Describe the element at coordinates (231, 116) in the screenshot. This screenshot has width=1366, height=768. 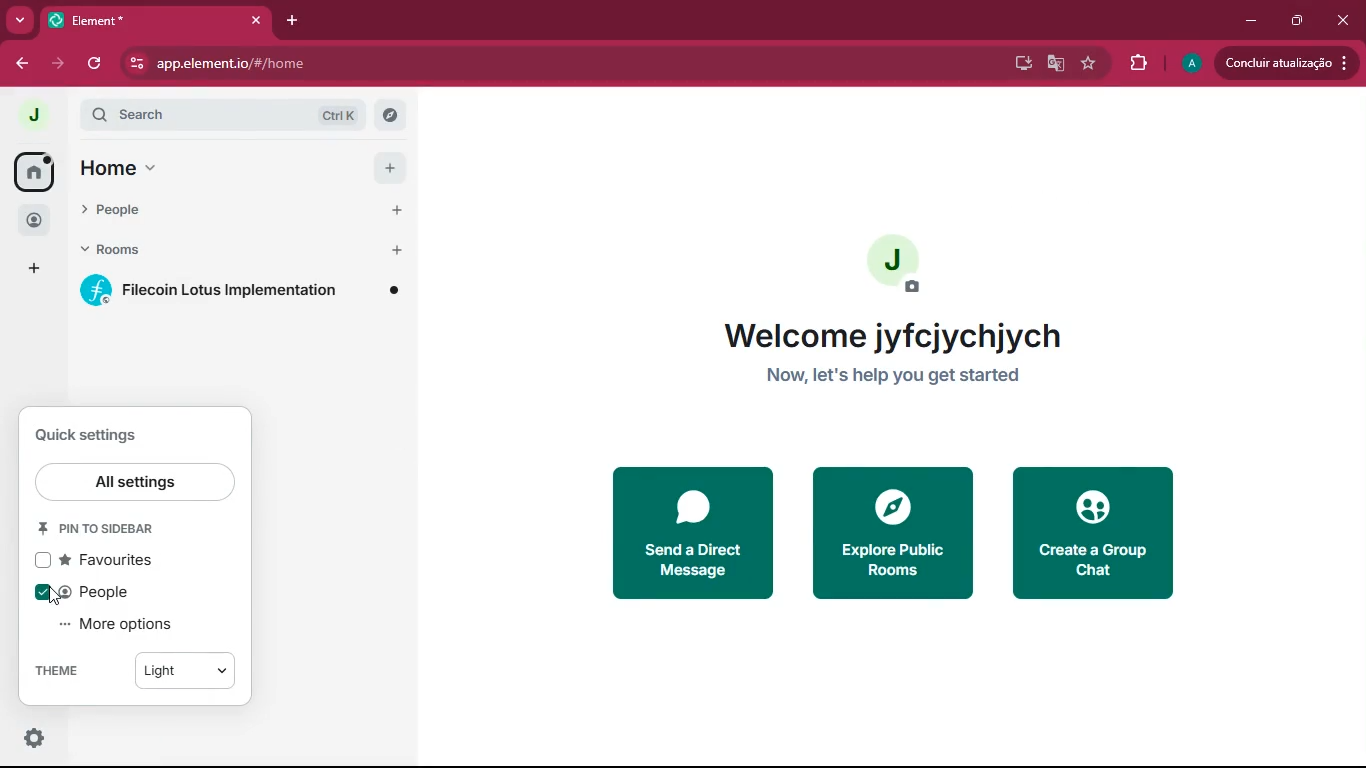
I see `search` at that location.